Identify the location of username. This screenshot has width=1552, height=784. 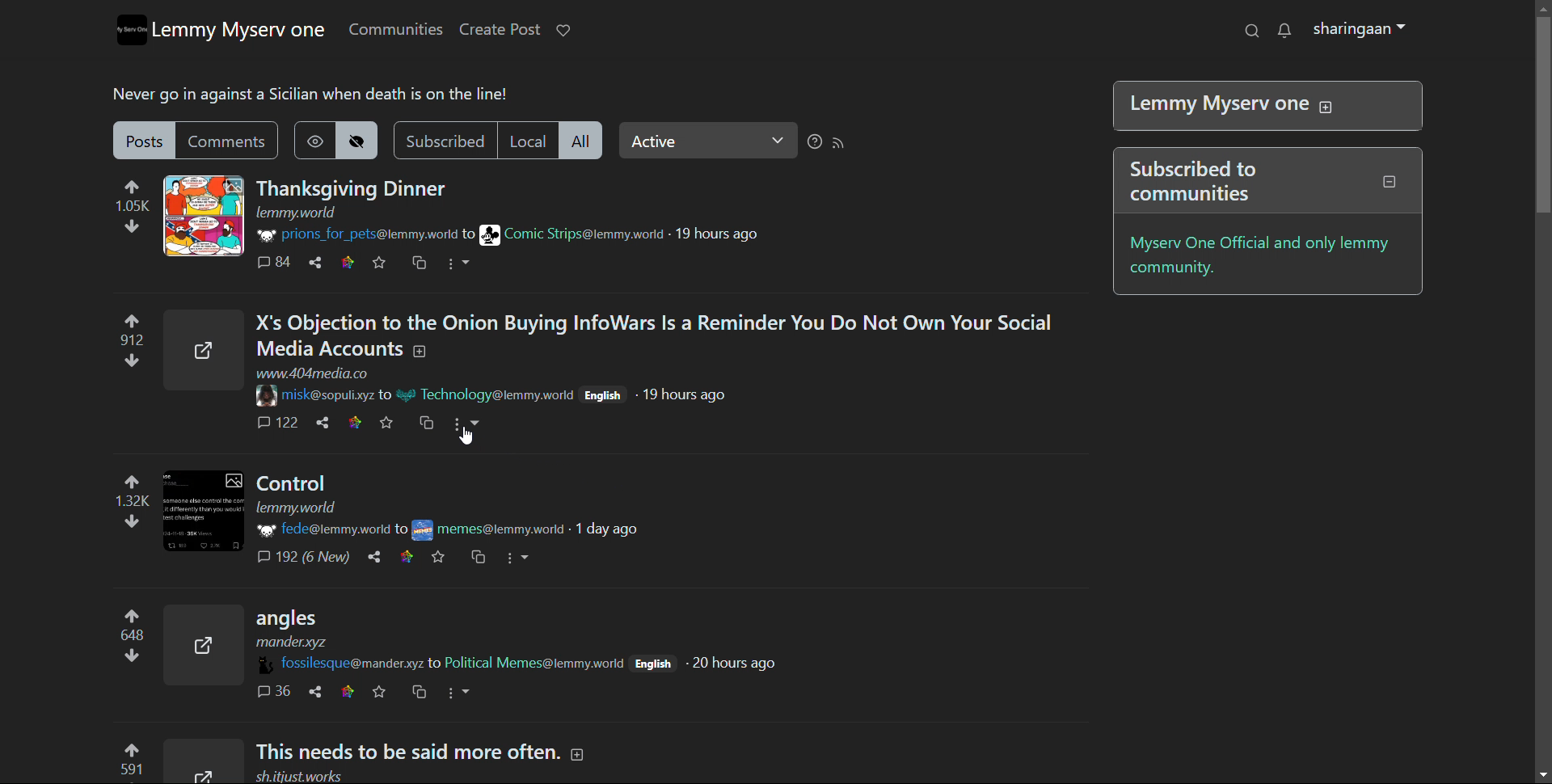
(323, 394).